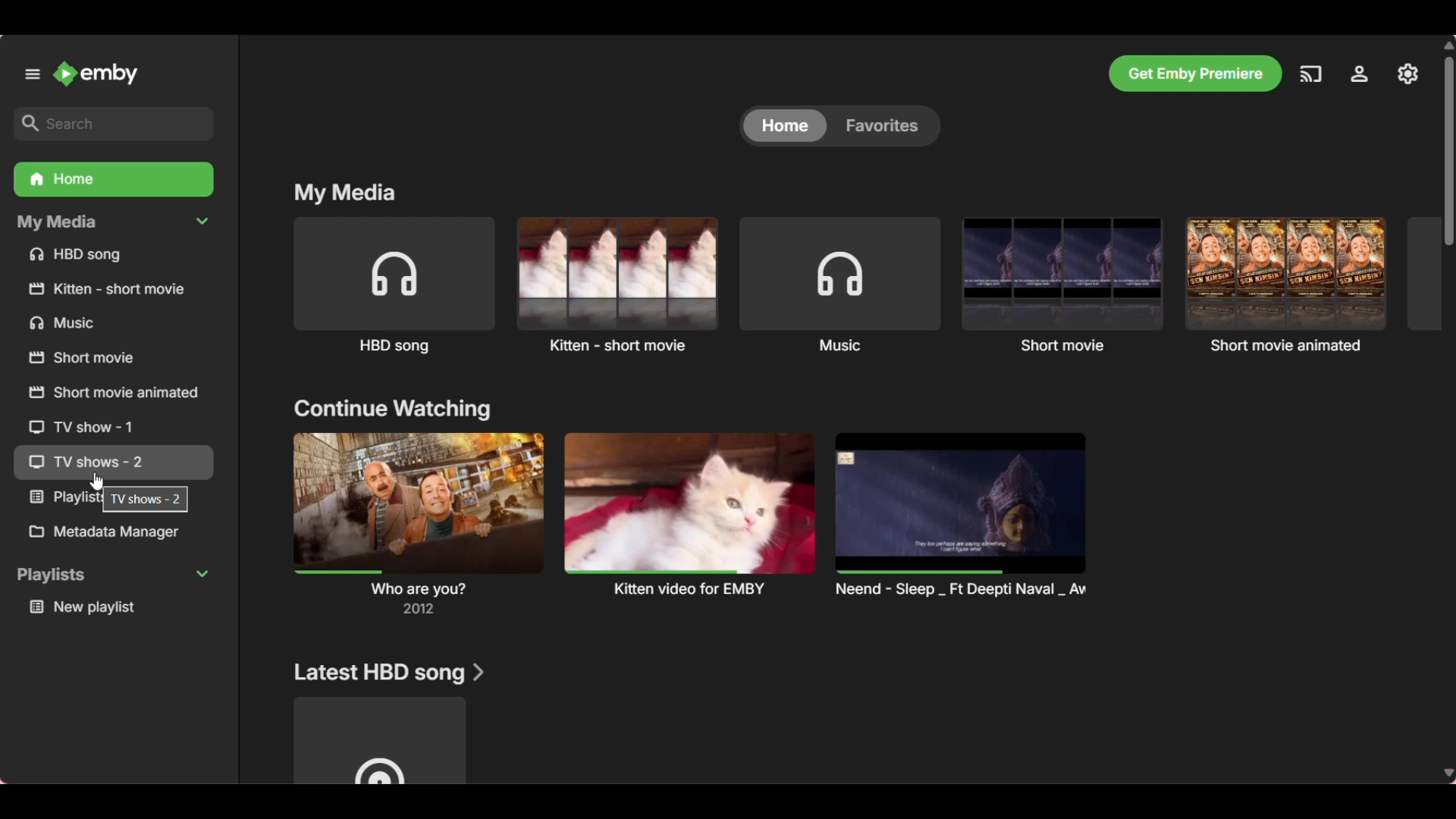 The image size is (1456, 819). What do you see at coordinates (106, 290) in the screenshot?
I see `` at bounding box center [106, 290].